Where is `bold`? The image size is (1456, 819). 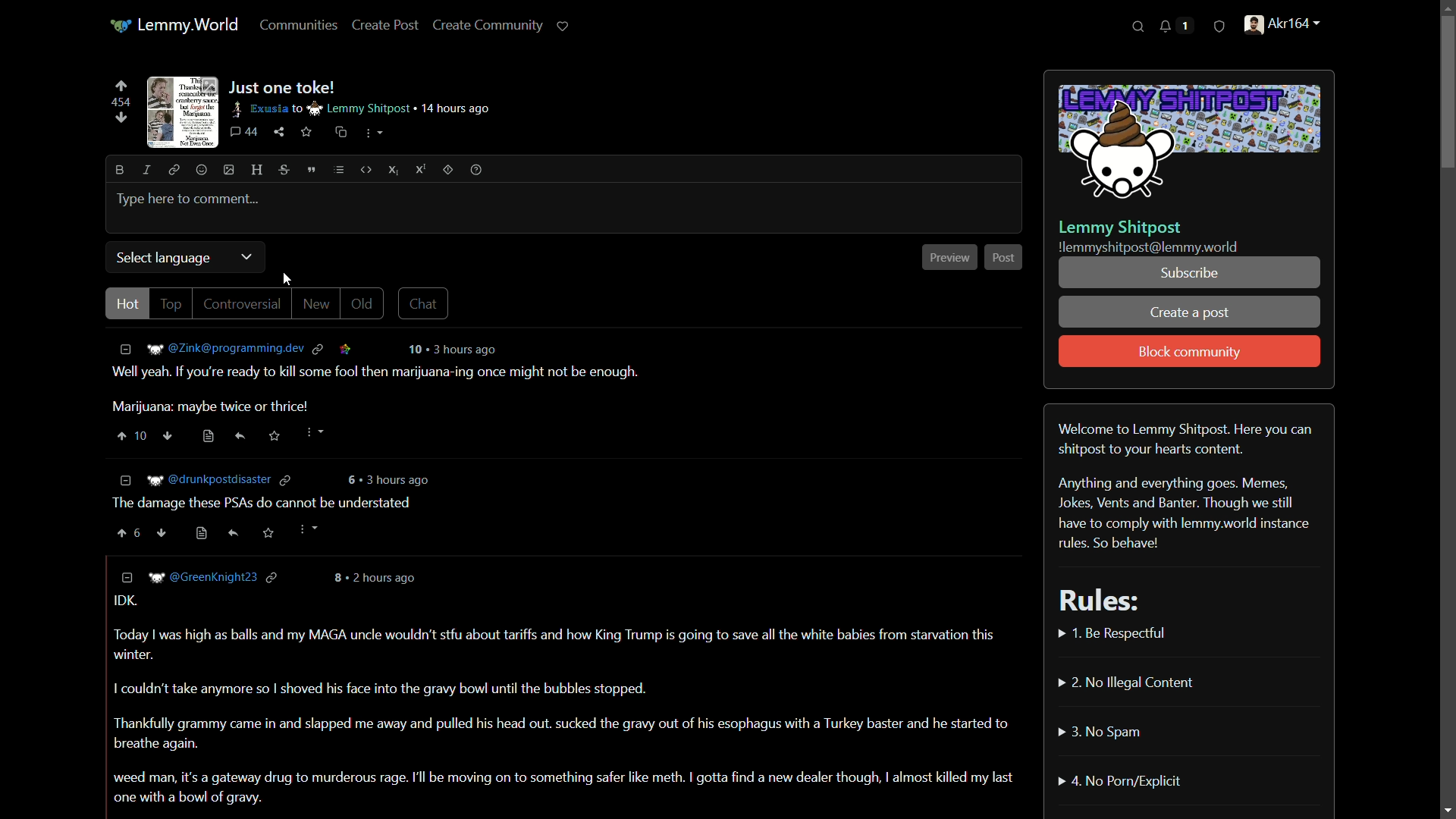
bold is located at coordinates (120, 170).